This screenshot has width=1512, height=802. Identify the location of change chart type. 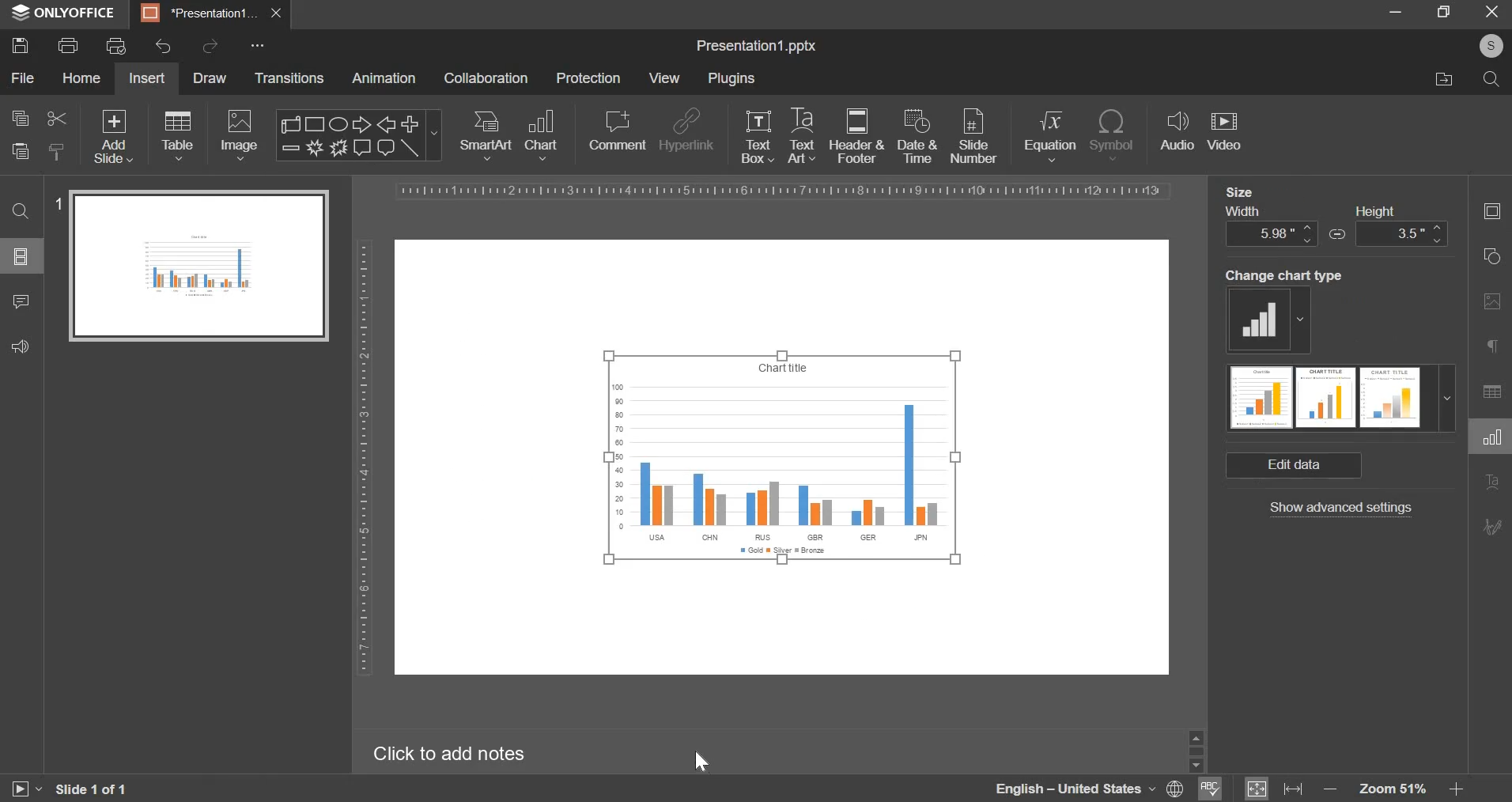
(1265, 320).